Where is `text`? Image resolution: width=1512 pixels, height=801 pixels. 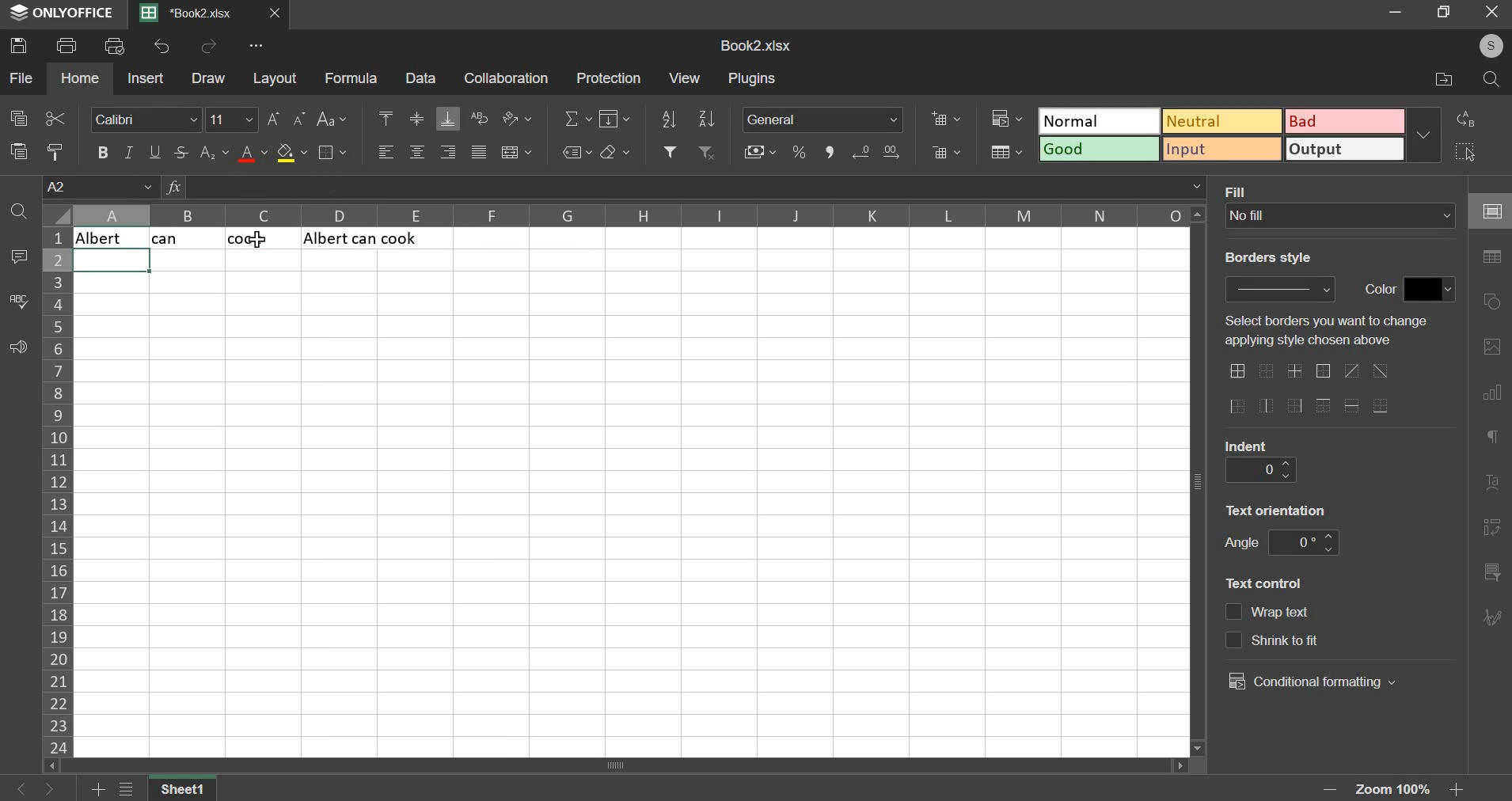
text is located at coordinates (1266, 257).